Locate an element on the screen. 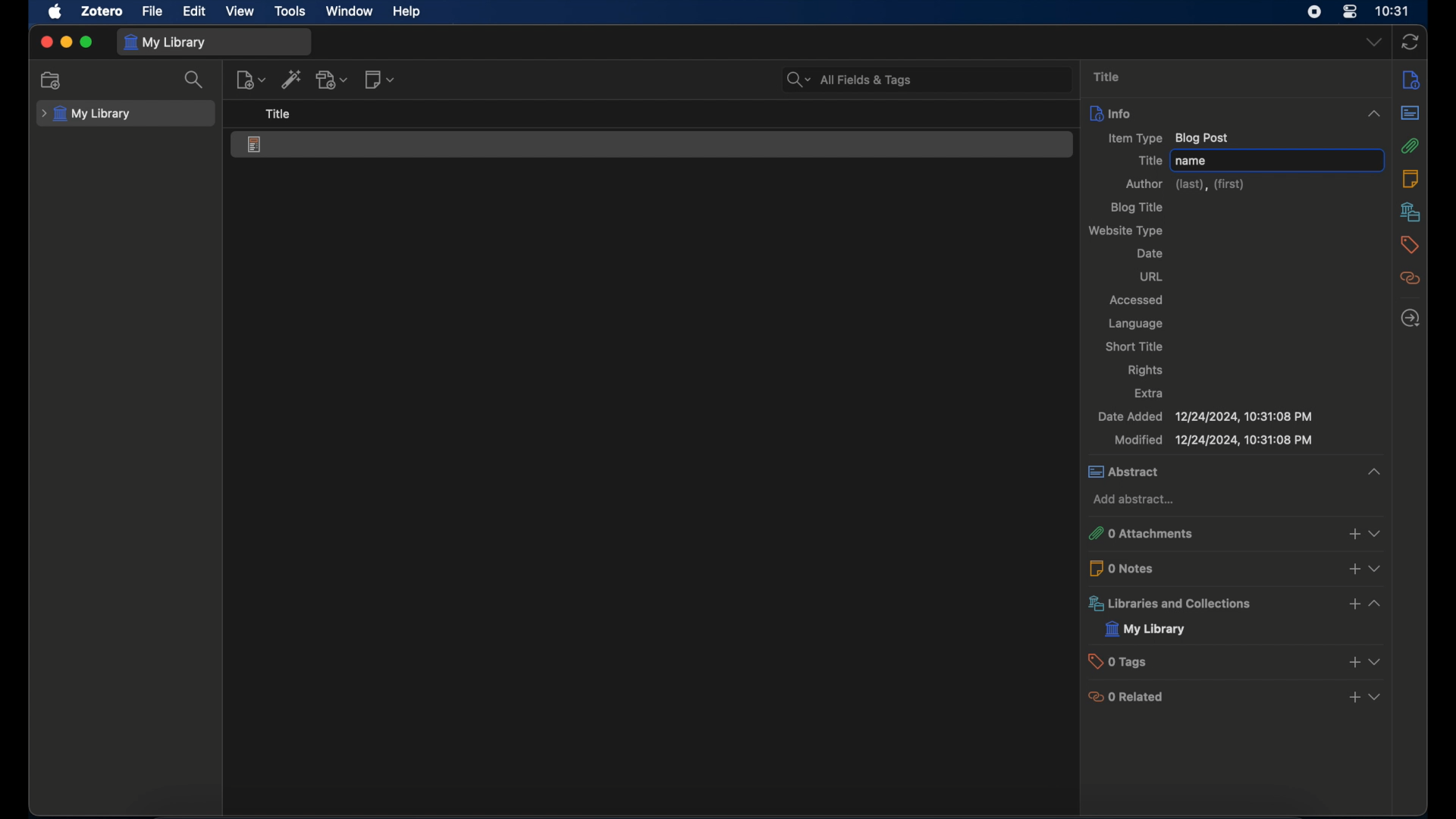 This screenshot has width=1456, height=819. title is located at coordinates (278, 113).